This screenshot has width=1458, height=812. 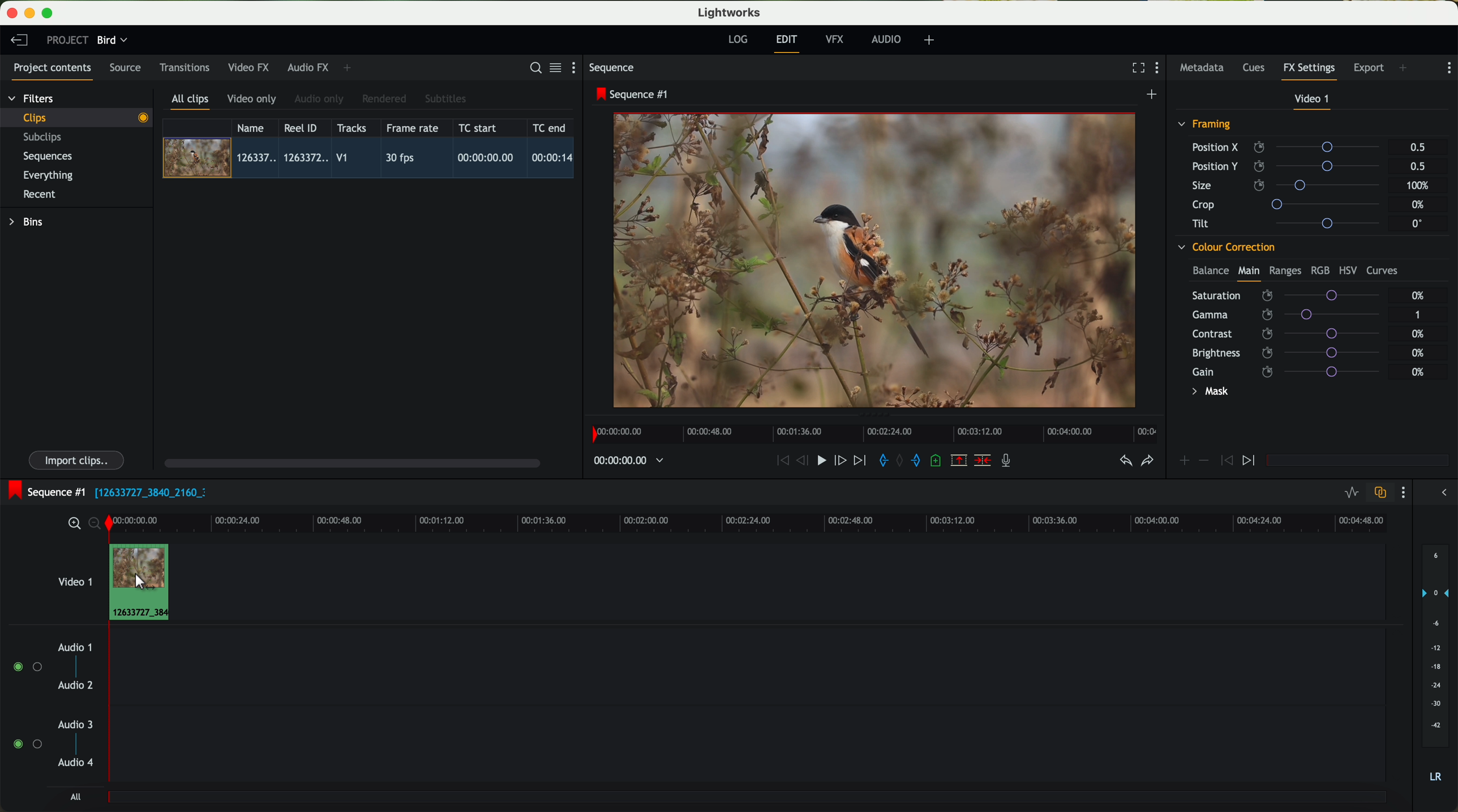 I want to click on video 1, so click(x=1313, y=101).